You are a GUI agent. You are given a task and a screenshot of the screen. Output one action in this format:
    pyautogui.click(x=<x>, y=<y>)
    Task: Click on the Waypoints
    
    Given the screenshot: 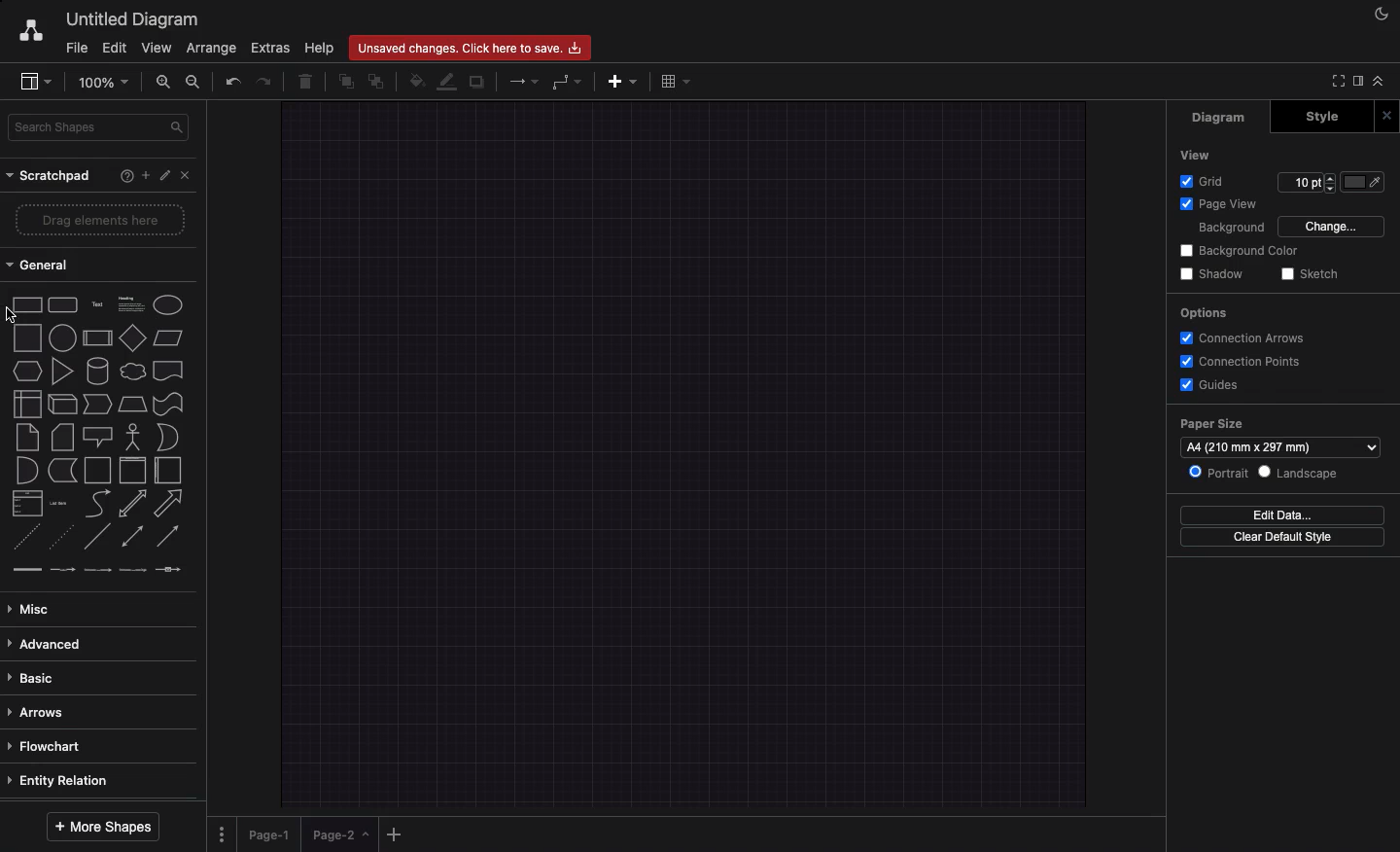 What is the action you would take?
    pyautogui.click(x=569, y=83)
    